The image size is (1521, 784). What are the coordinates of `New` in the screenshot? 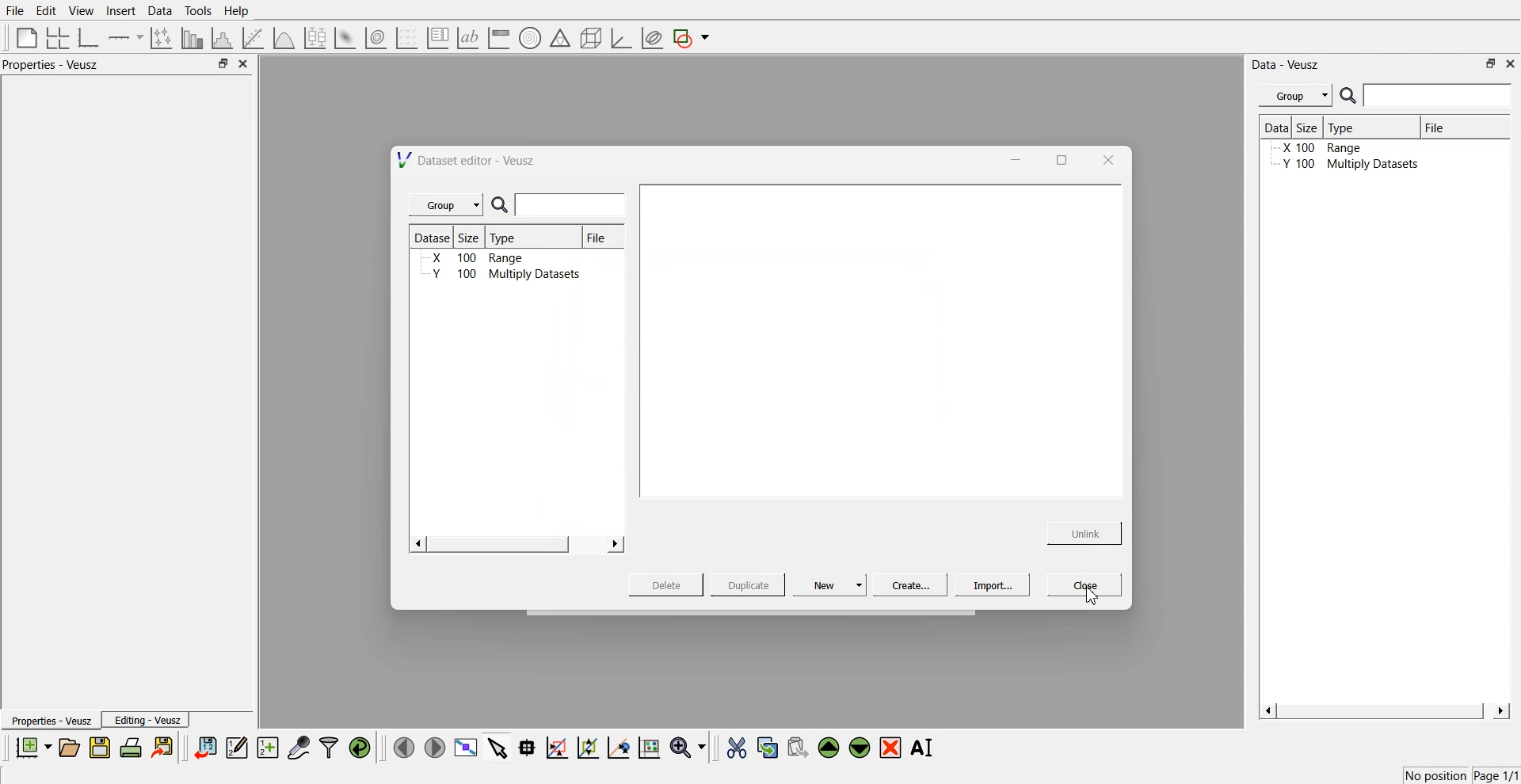 It's located at (832, 584).